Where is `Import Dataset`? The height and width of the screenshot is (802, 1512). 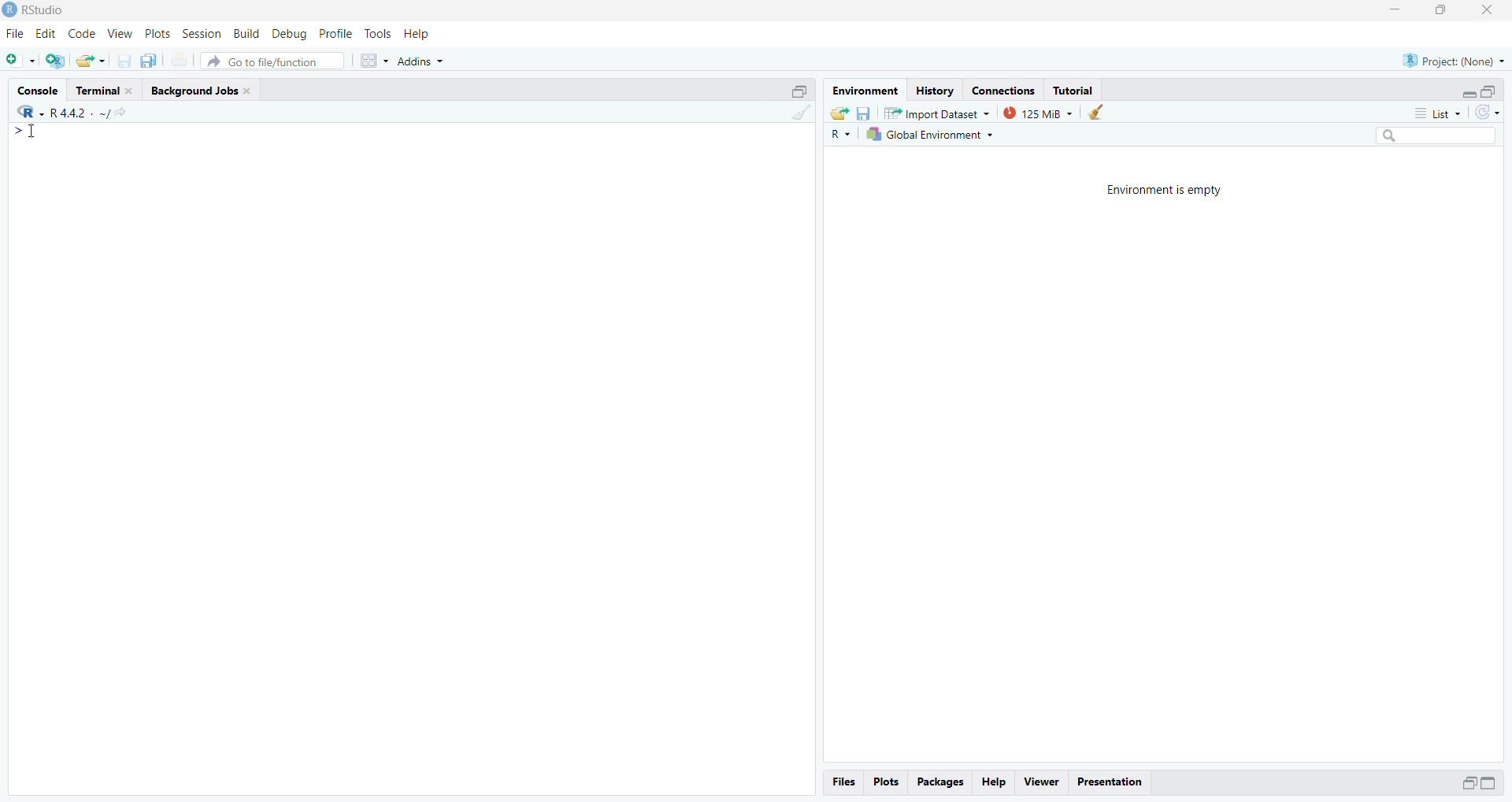 Import Dataset is located at coordinates (936, 113).